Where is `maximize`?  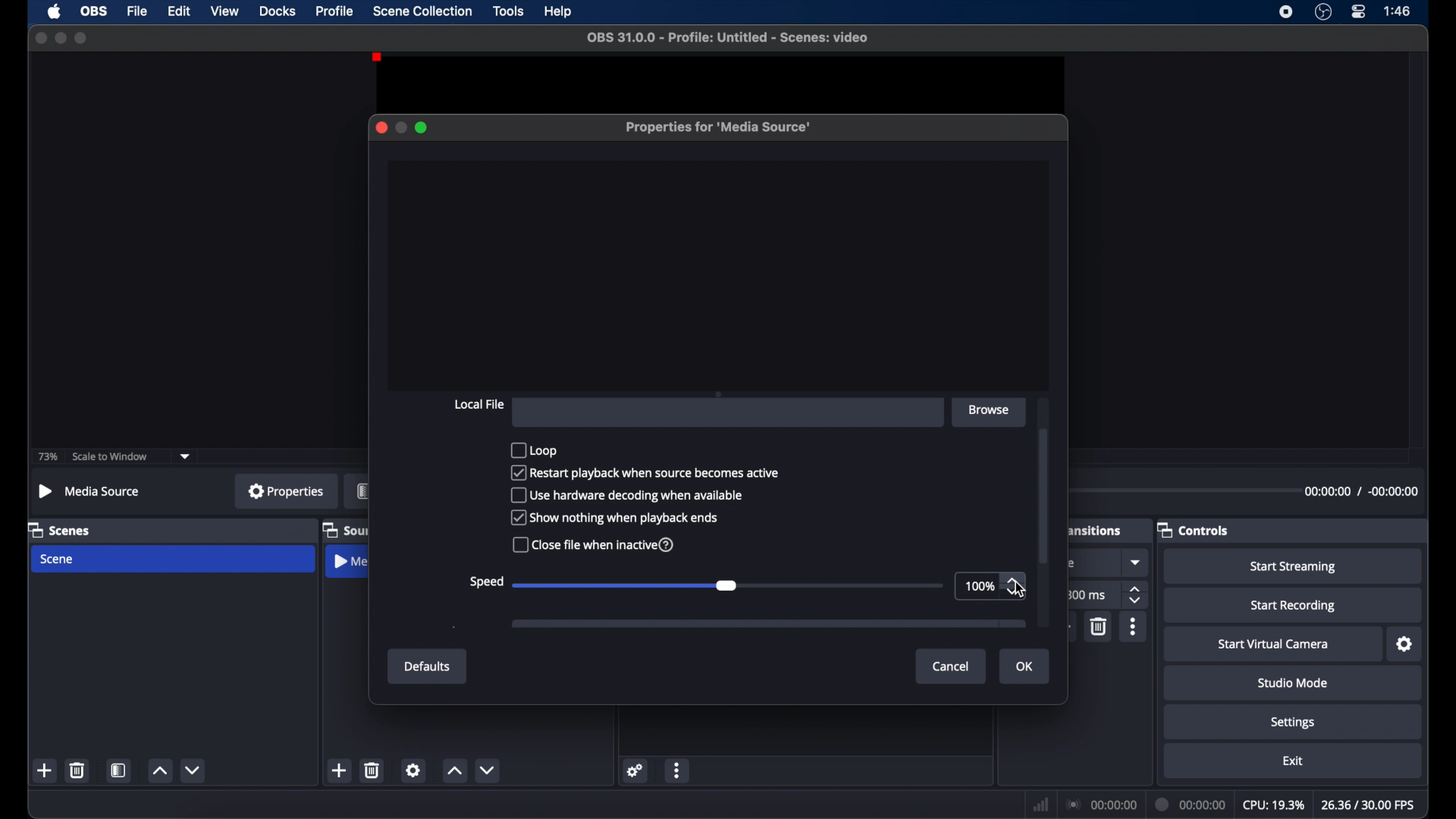 maximize is located at coordinates (422, 127).